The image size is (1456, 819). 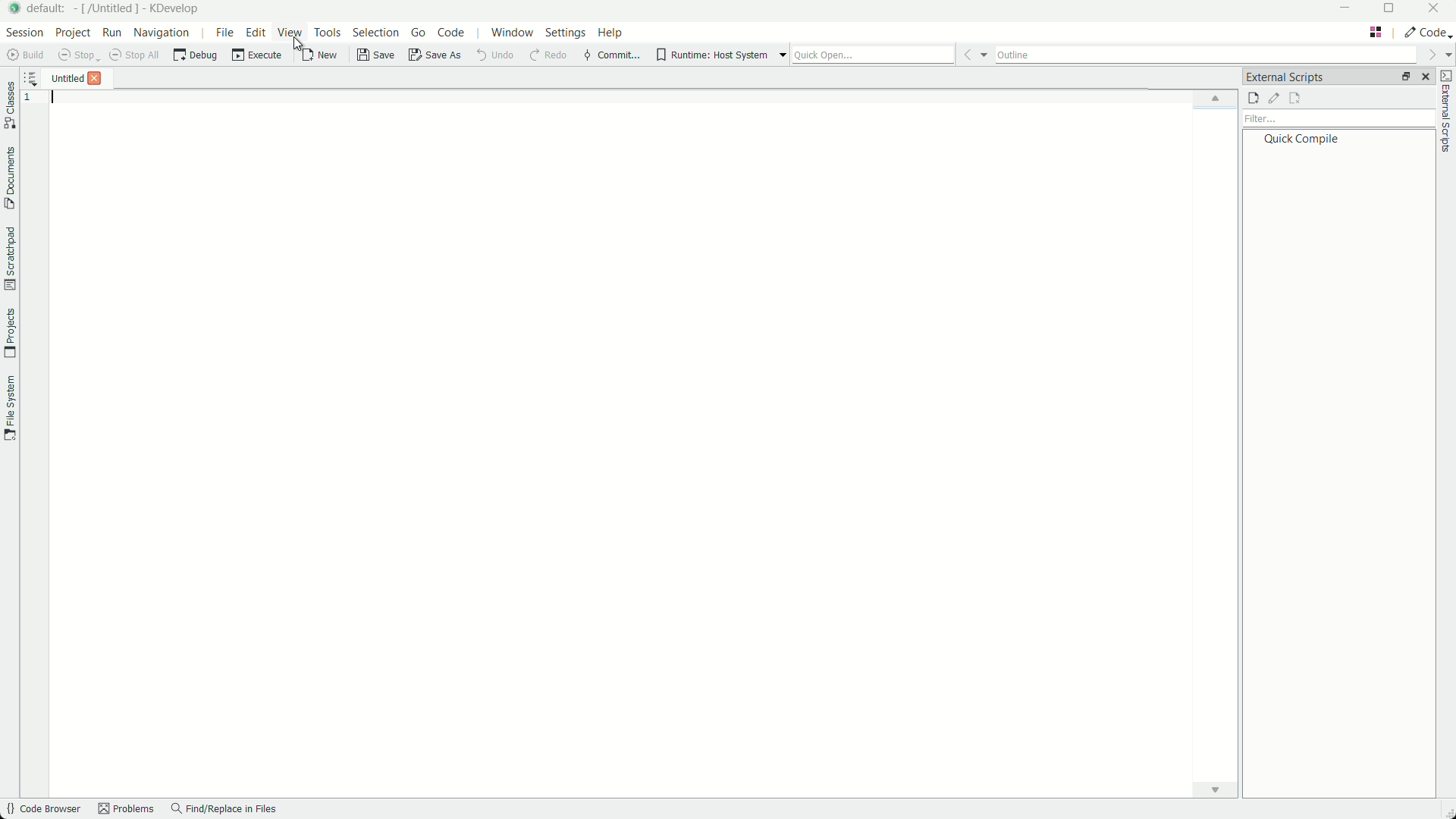 I want to click on view, so click(x=289, y=33).